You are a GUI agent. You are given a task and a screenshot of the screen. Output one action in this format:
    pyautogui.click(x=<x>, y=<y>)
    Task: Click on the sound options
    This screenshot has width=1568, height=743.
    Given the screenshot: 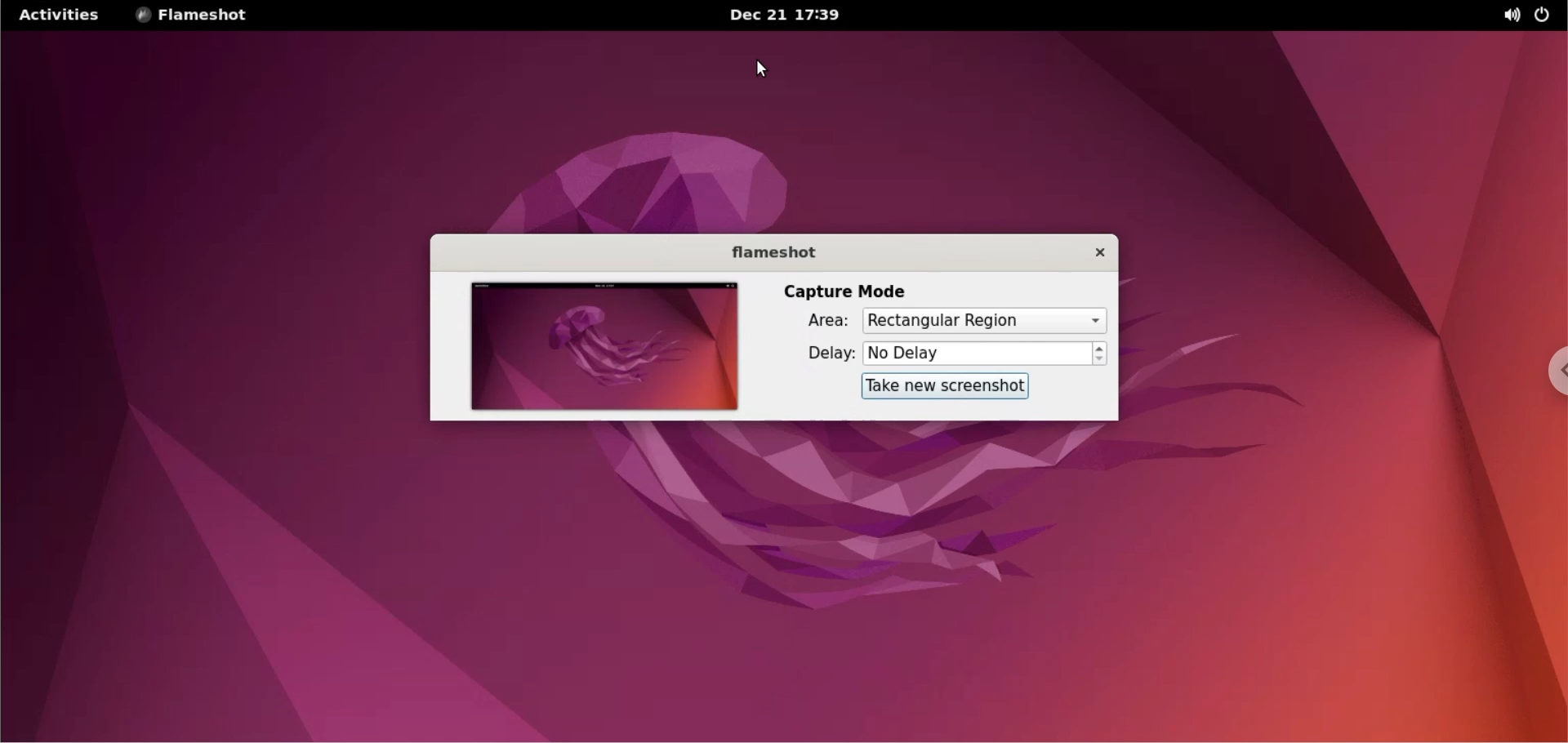 What is the action you would take?
    pyautogui.click(x=1505, y=15)
    